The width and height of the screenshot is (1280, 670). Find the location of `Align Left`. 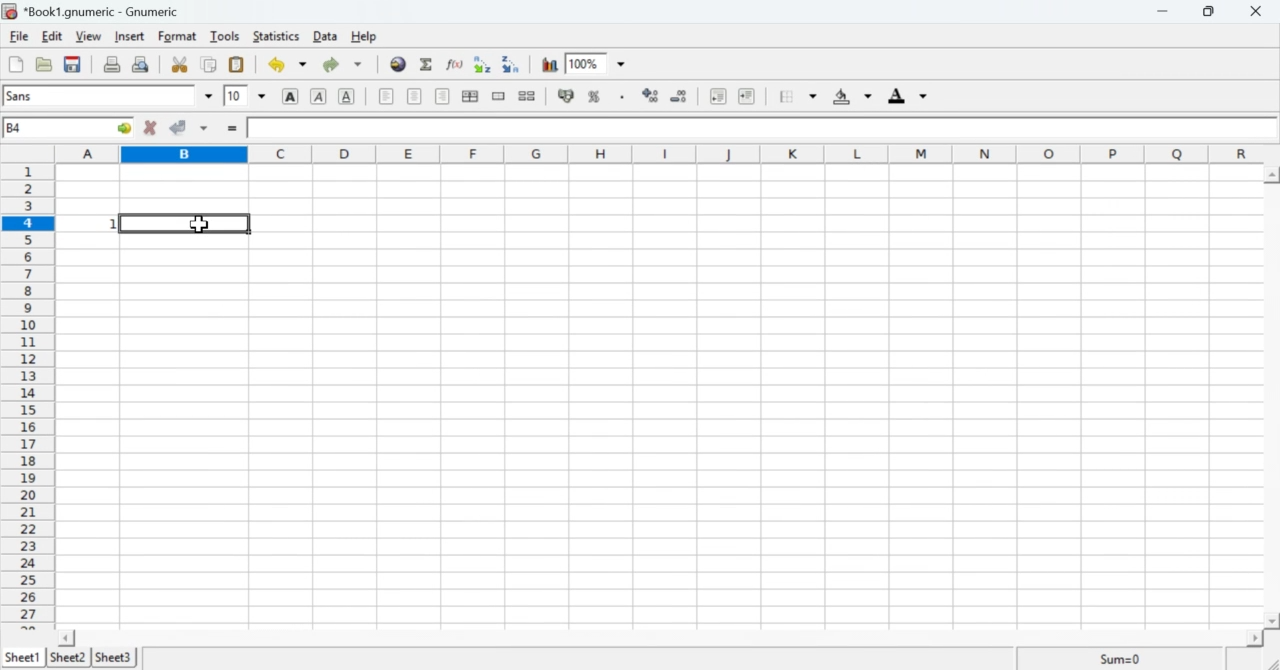

Align Left is located at coordinates (386, 97).